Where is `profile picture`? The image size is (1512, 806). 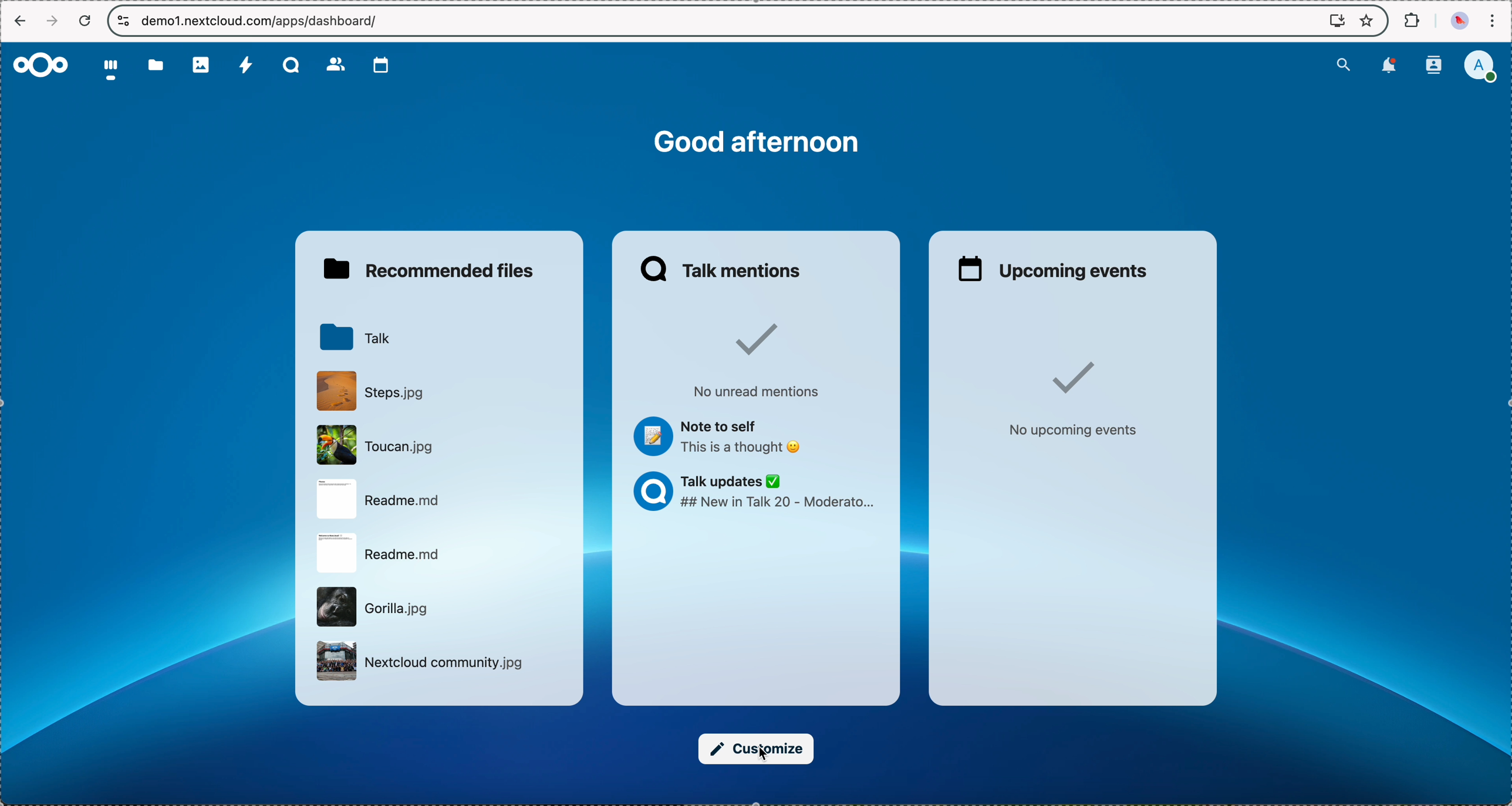
profile picture is located at coordinates (1458, 23).